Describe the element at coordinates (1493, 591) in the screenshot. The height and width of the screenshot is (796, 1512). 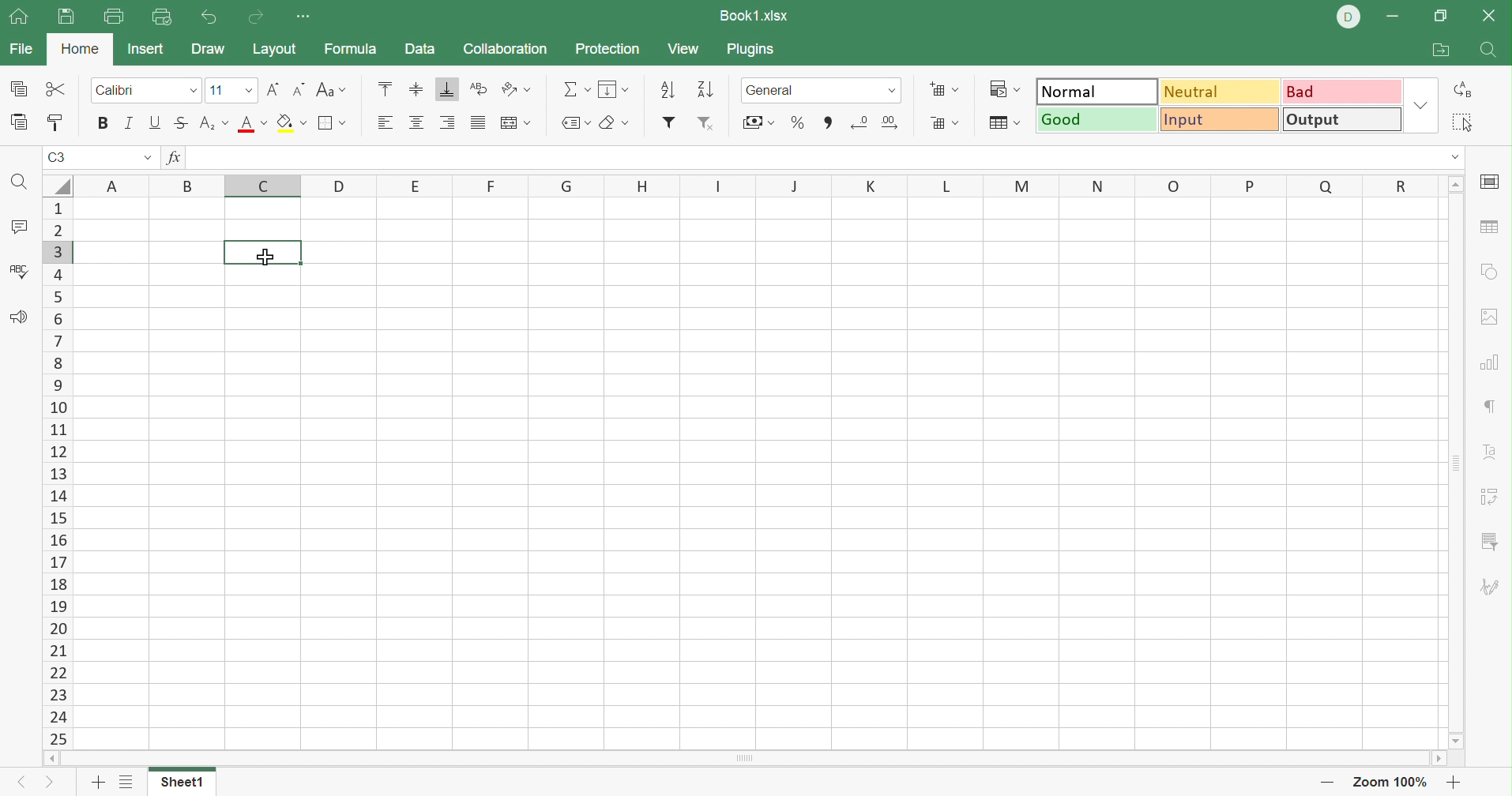
I see `Signature settings` at that location.